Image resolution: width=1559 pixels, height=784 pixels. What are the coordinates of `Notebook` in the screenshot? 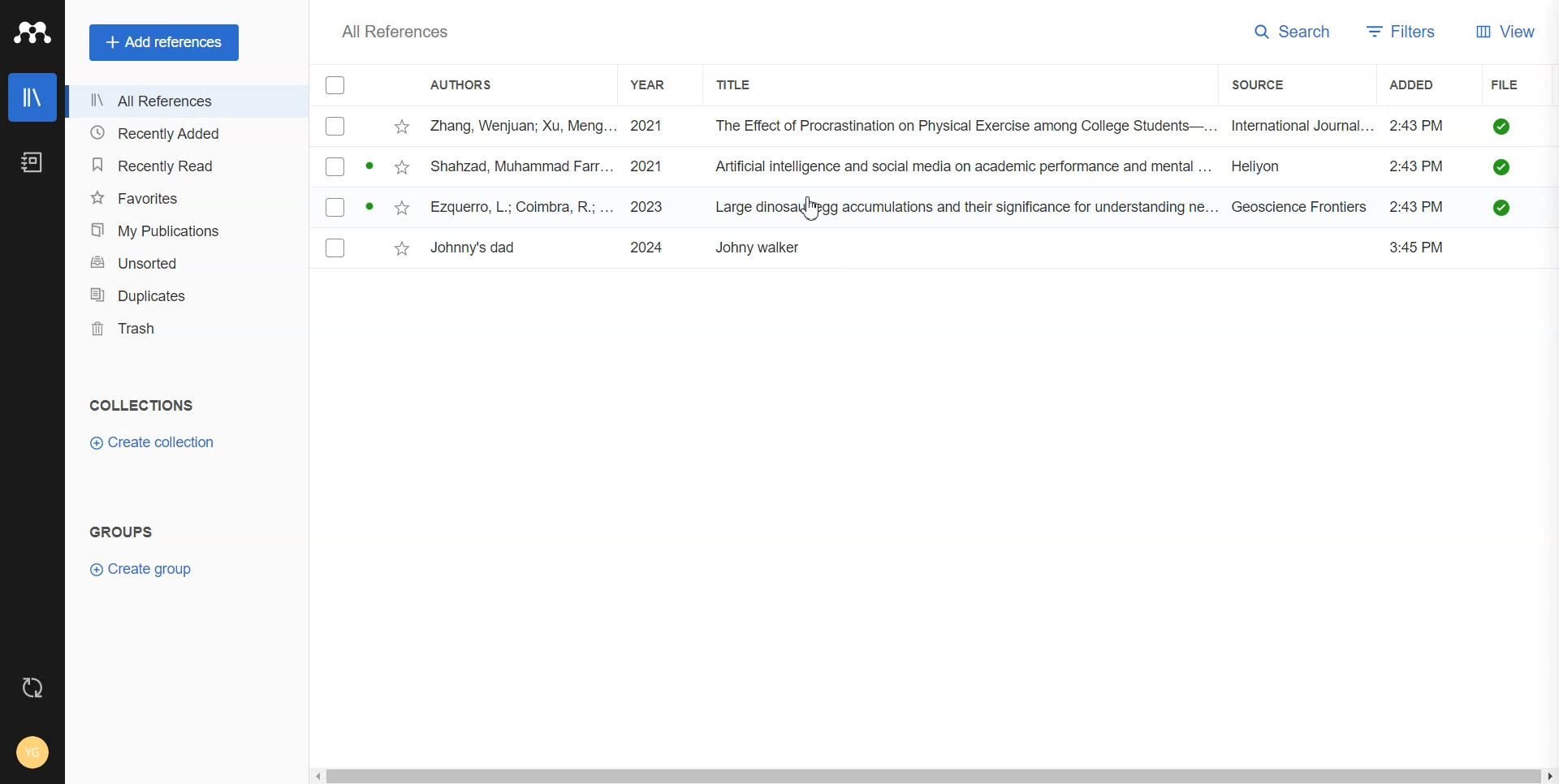 It's located at (32, 163).